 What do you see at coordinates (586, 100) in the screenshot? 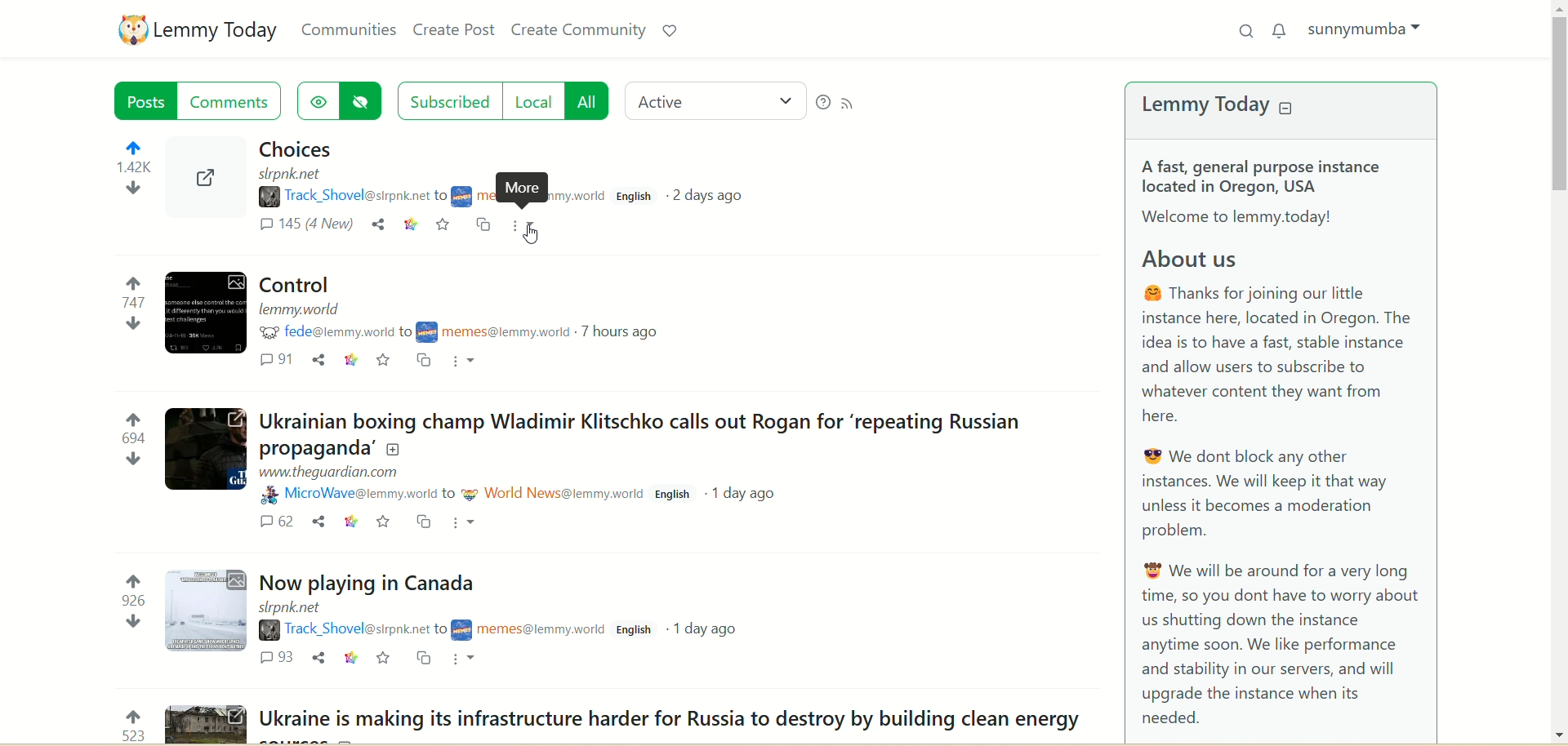
I see `all` at bounding box center [586, 100].